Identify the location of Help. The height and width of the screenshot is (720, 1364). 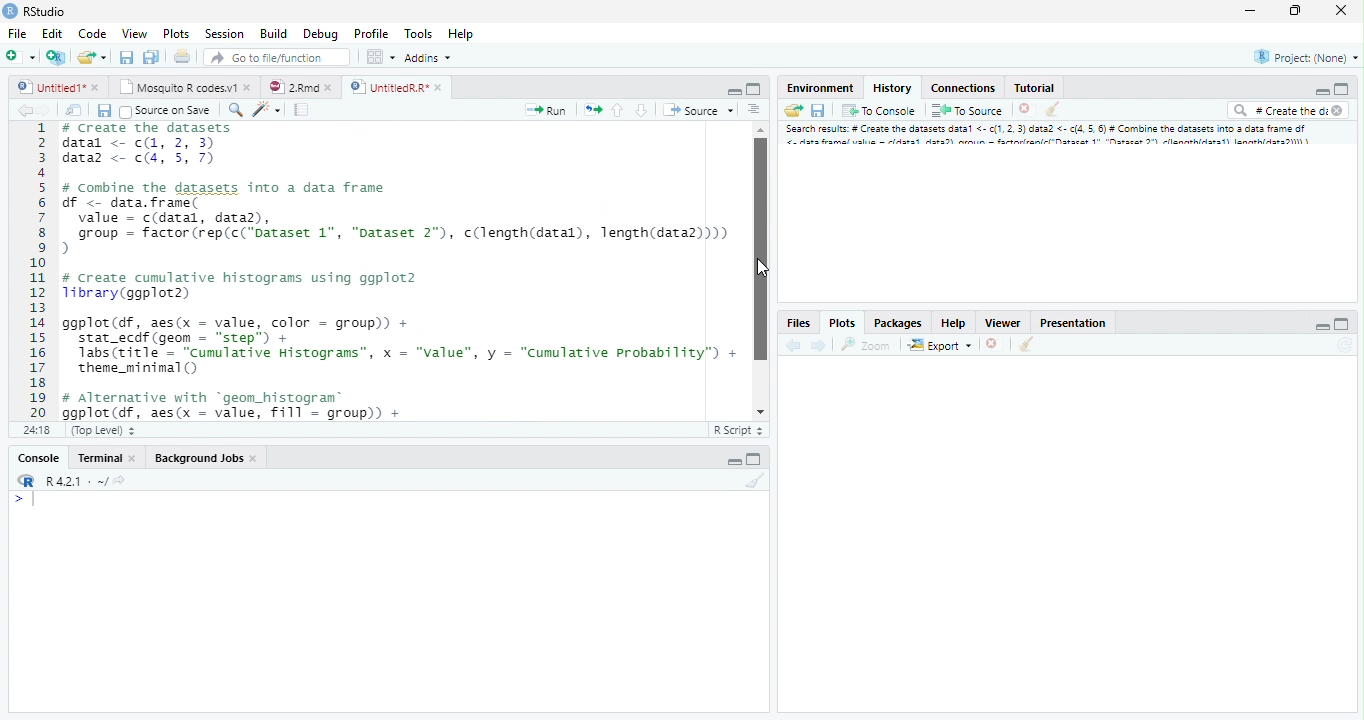
(460, 34).